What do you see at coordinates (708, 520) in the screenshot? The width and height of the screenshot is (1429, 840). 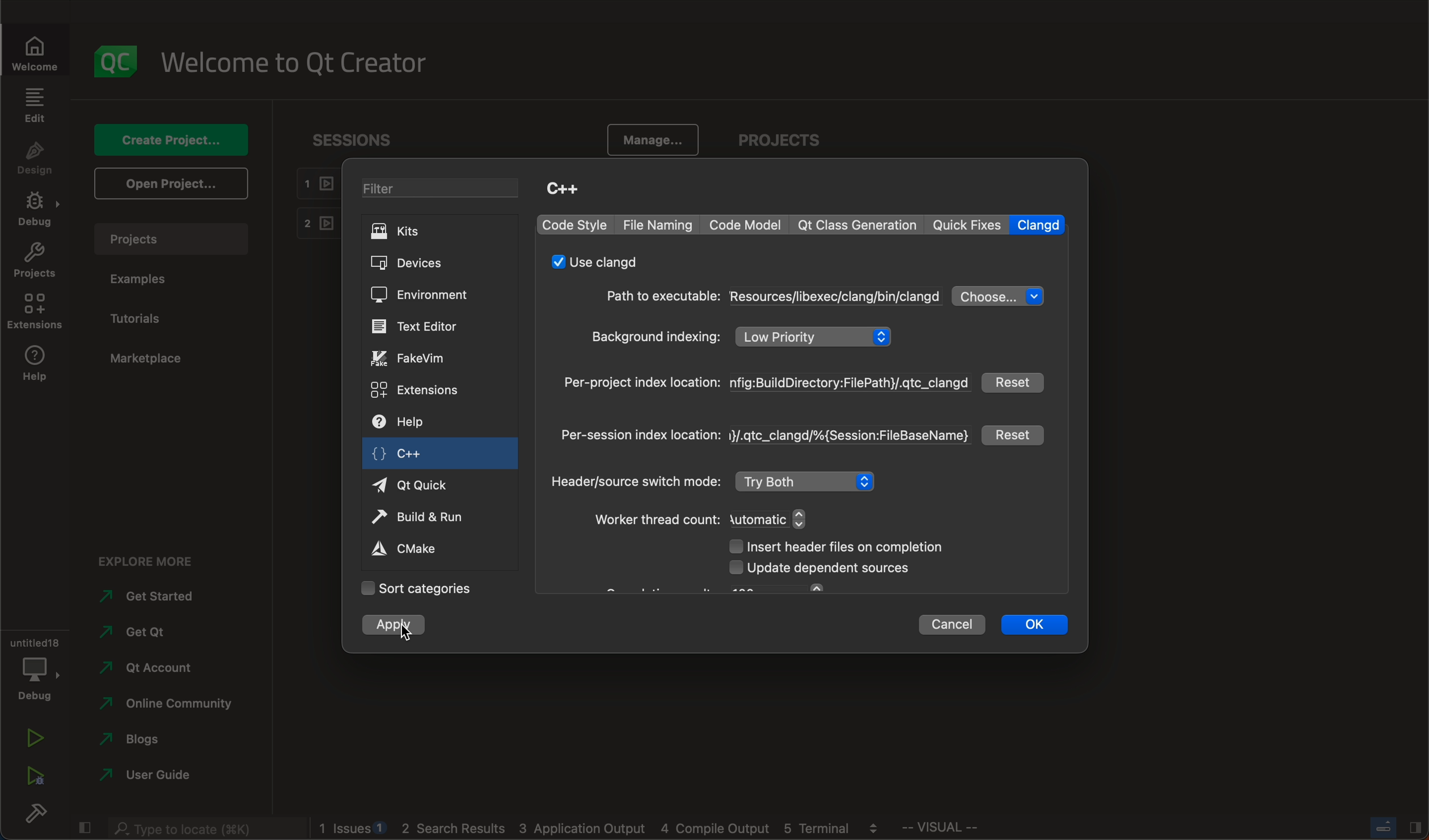 I see `thread count` at bounding box center [708, 520].